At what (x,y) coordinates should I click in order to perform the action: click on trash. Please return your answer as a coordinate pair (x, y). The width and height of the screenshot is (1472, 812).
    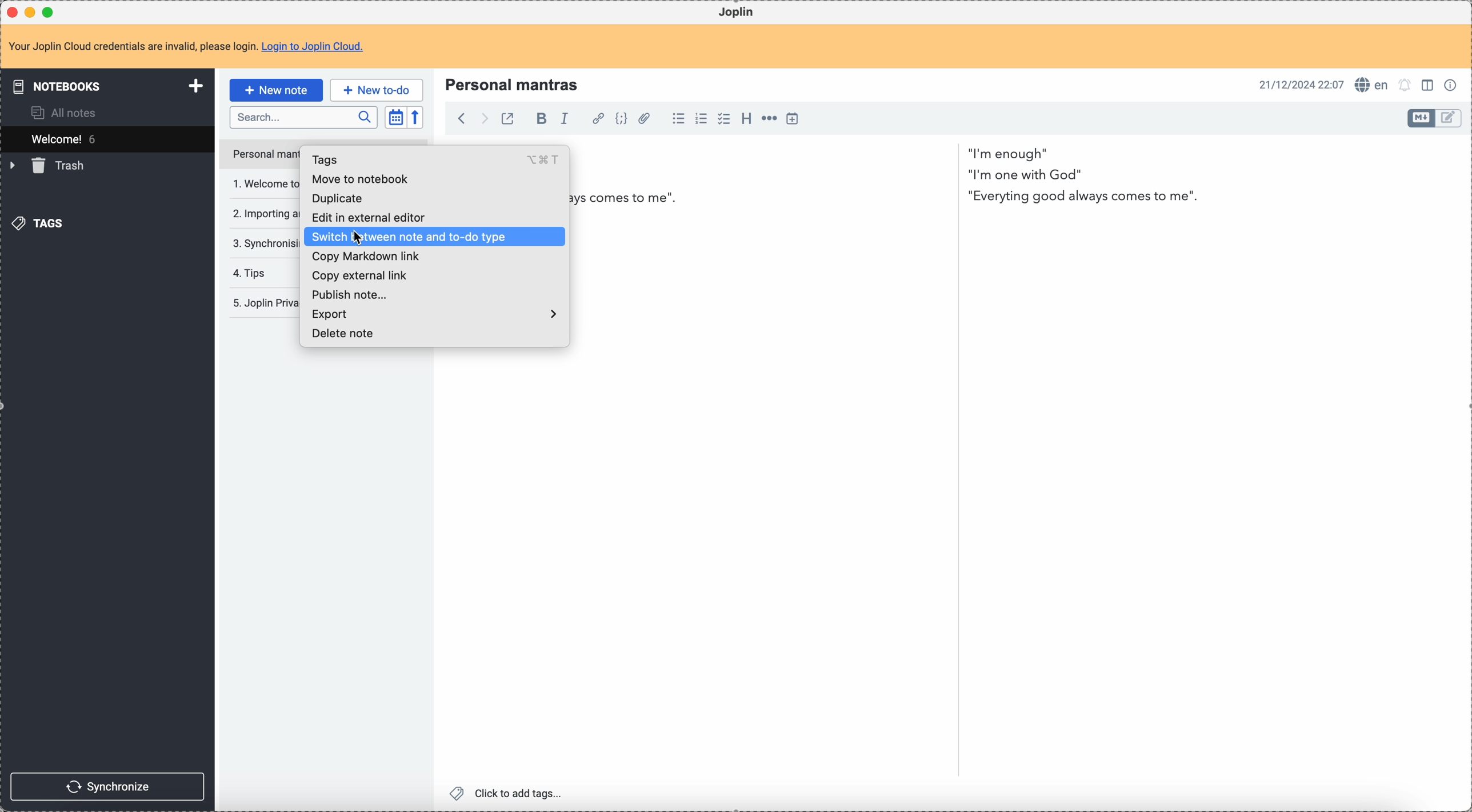
    Looking at the image, I should click on (53, 165).